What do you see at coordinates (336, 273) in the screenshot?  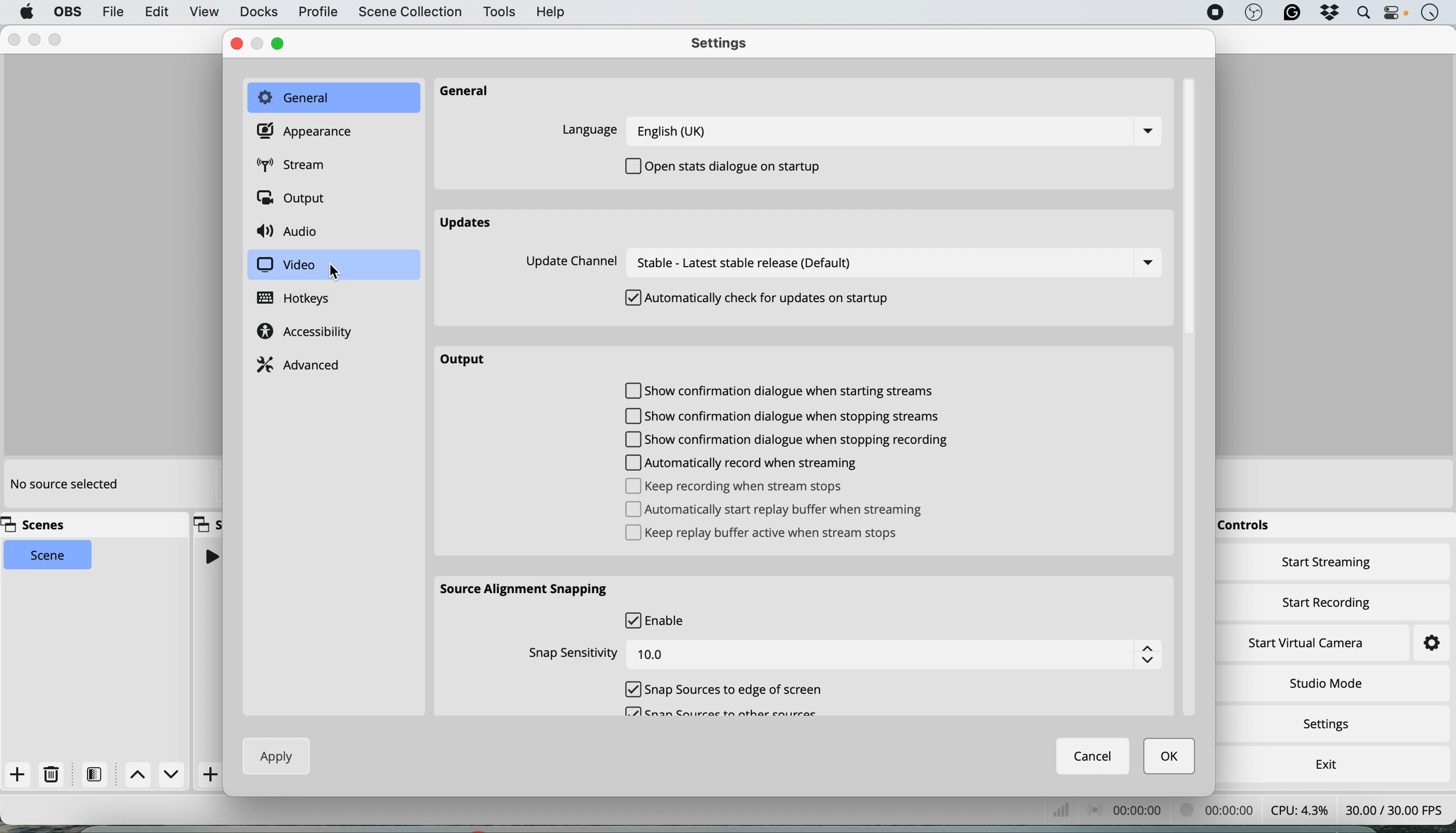 I see `cursor` at bounding box center [336, 273].